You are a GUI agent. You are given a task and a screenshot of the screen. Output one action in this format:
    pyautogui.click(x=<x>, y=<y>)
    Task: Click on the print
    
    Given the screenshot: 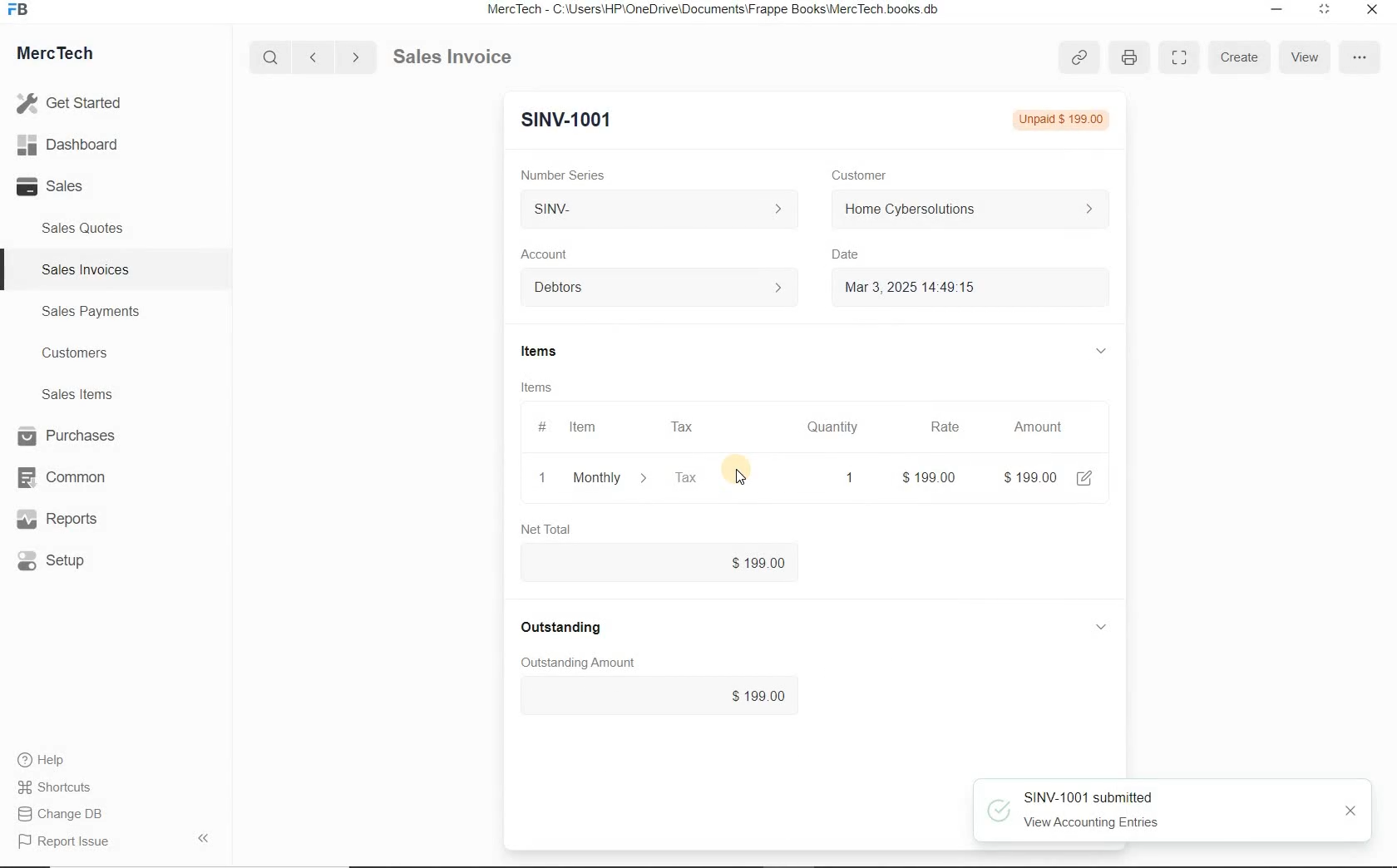 What is the action you would take?
    pyautogui.click(x=1131, y=57)
    